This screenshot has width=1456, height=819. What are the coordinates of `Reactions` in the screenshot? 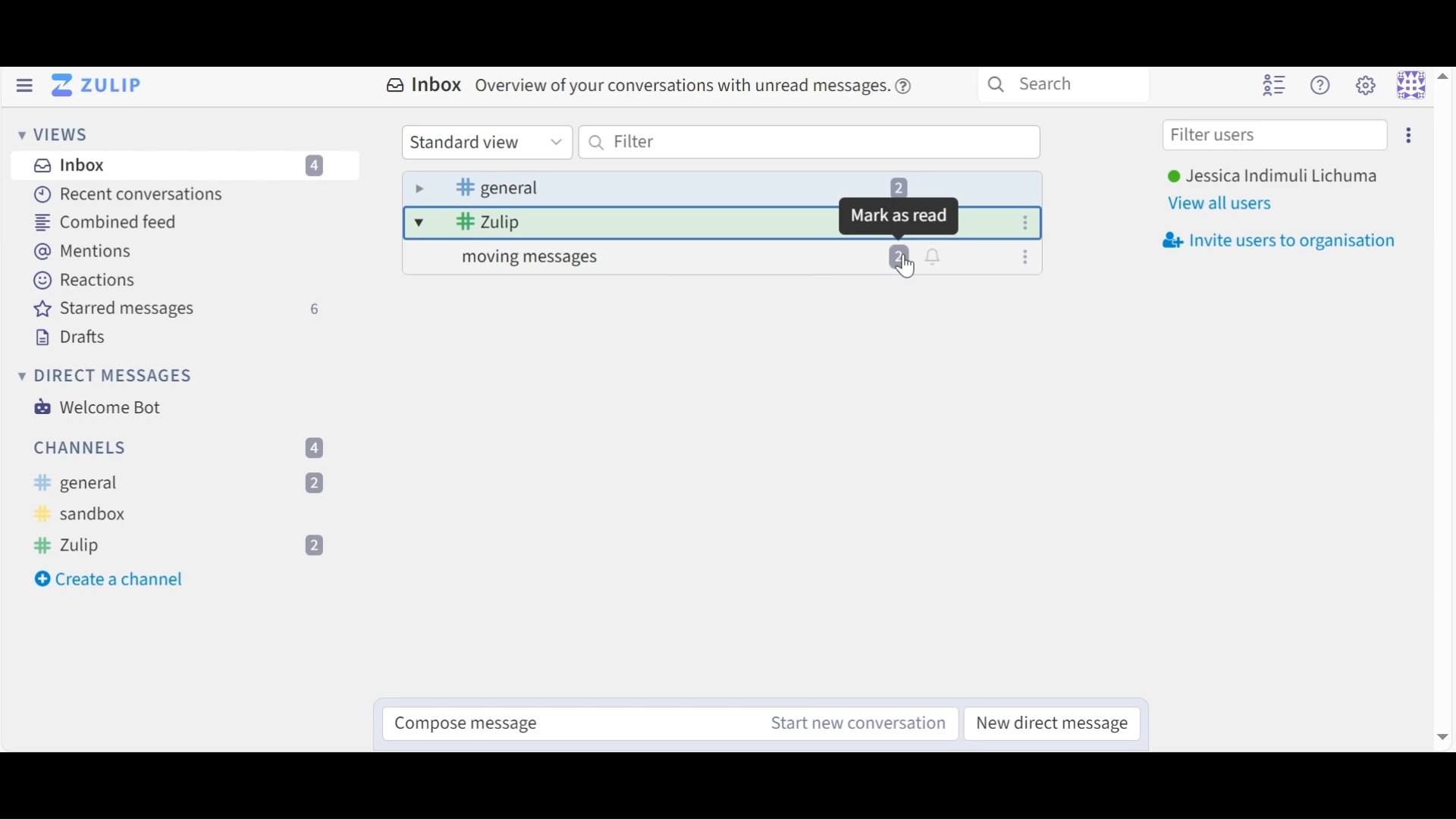 It's located at (85, 279).